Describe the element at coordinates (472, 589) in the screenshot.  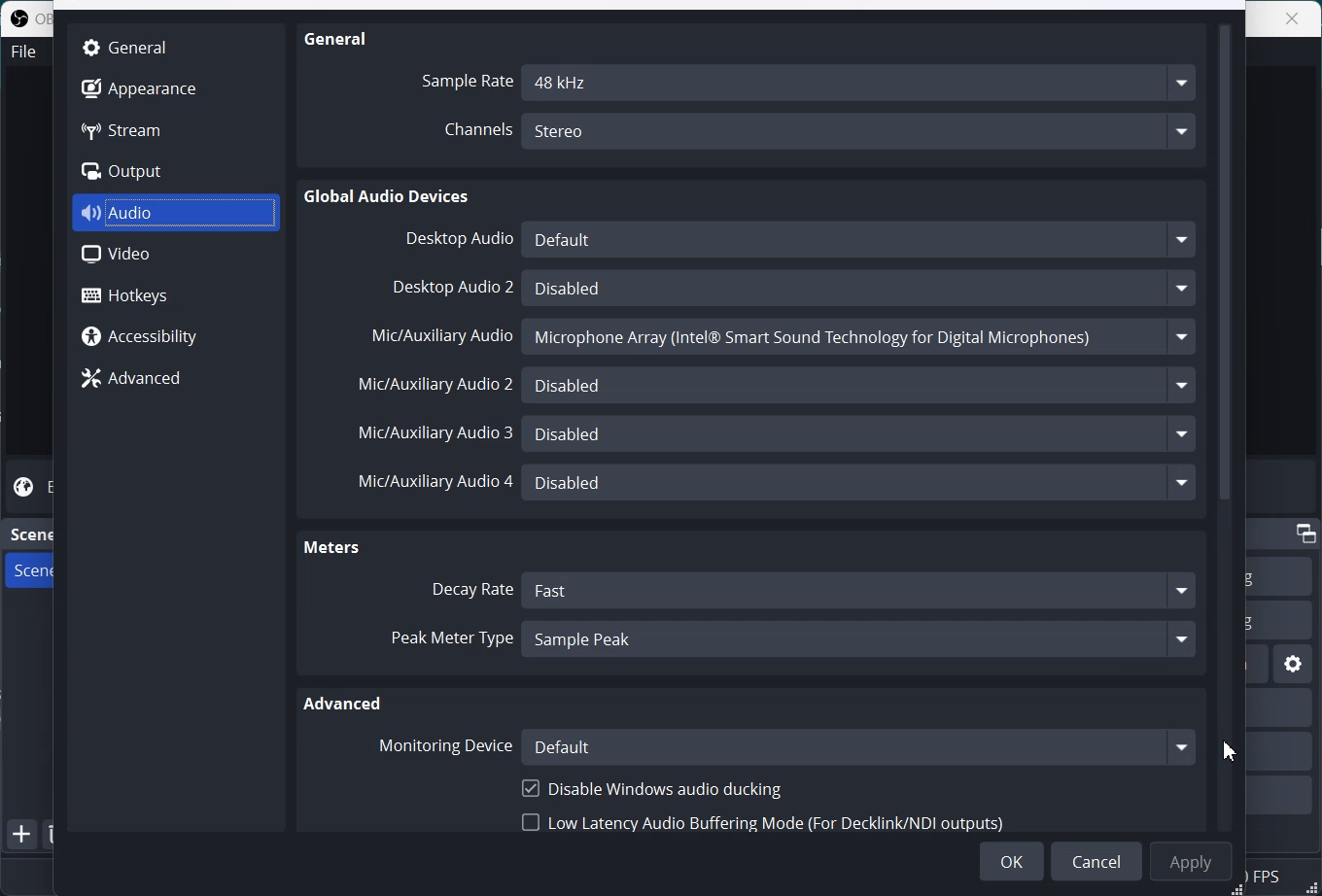
I see `Decay Rate` at that location.